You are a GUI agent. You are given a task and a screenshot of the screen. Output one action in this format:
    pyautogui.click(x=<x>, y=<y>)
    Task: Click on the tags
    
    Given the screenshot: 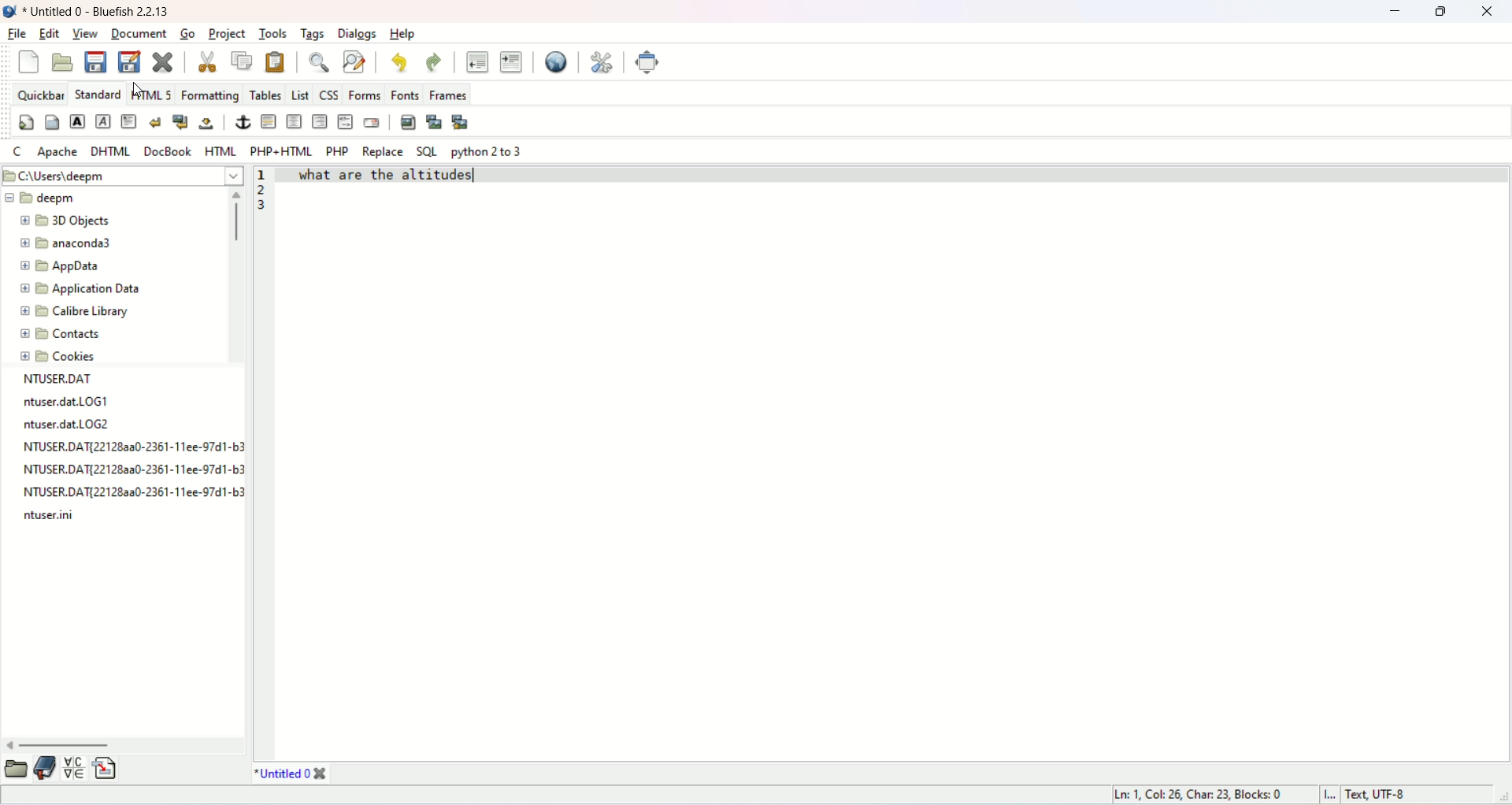 What is the action you would take?
    pyautogui.click(x=312, y=35)
    